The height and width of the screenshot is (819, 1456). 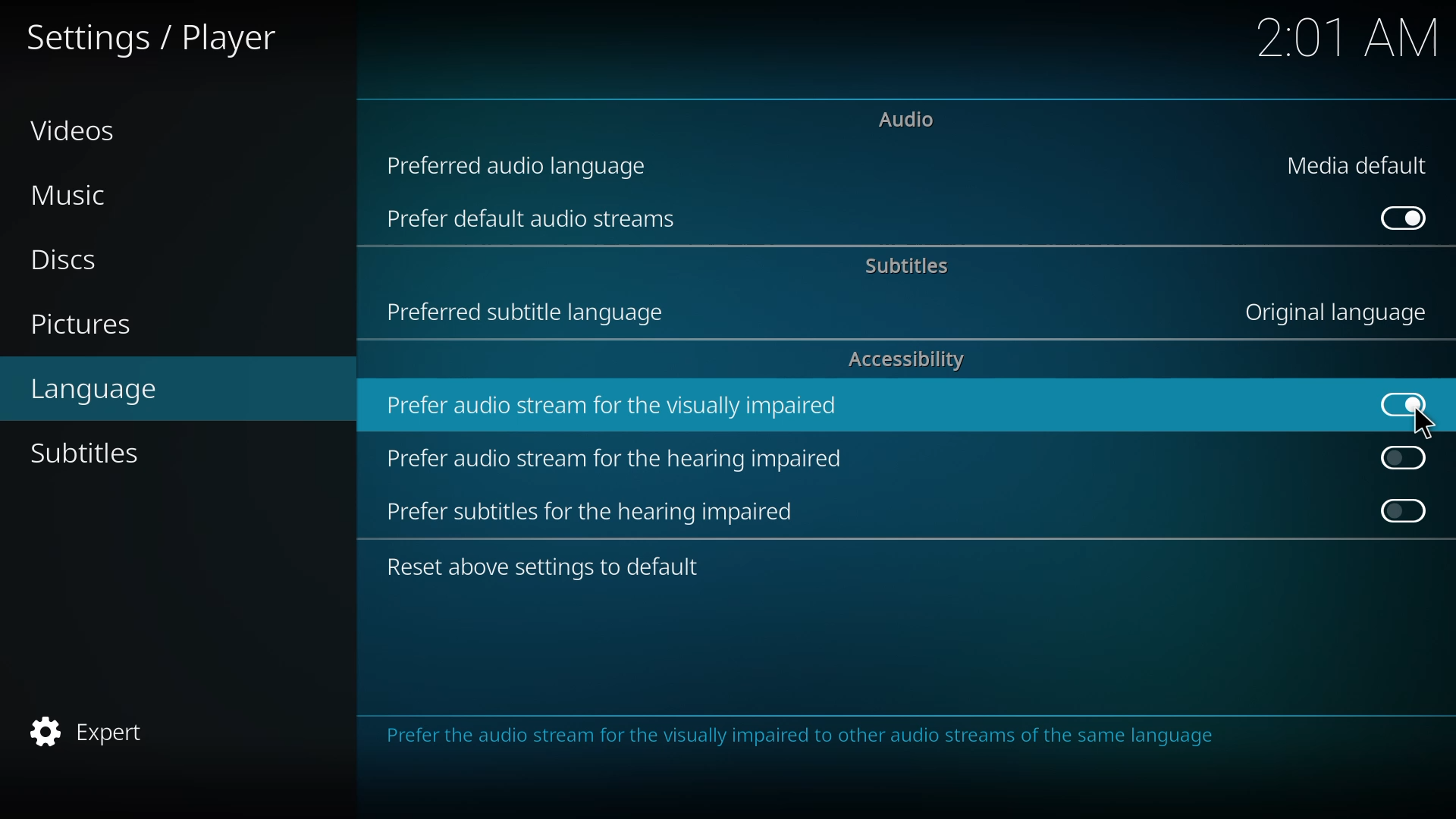 I want to click on prefer audio stream for hearing impaired, so click(x=617, y=460).